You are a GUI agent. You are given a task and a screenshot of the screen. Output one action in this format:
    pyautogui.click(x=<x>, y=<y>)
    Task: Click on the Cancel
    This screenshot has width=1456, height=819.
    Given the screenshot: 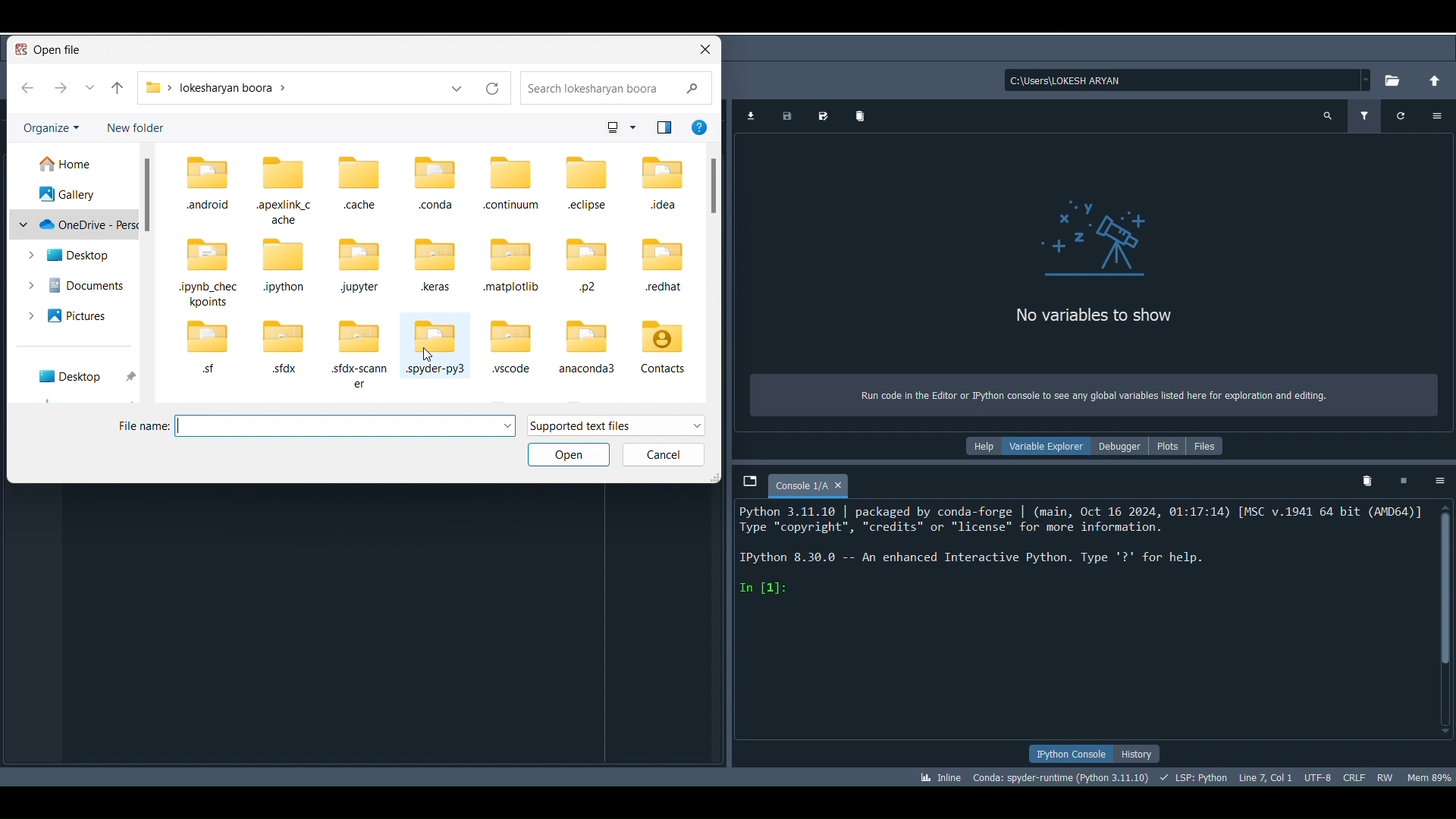 What is the action you would take?
    pyautogui.click(x=659, y=457)
    